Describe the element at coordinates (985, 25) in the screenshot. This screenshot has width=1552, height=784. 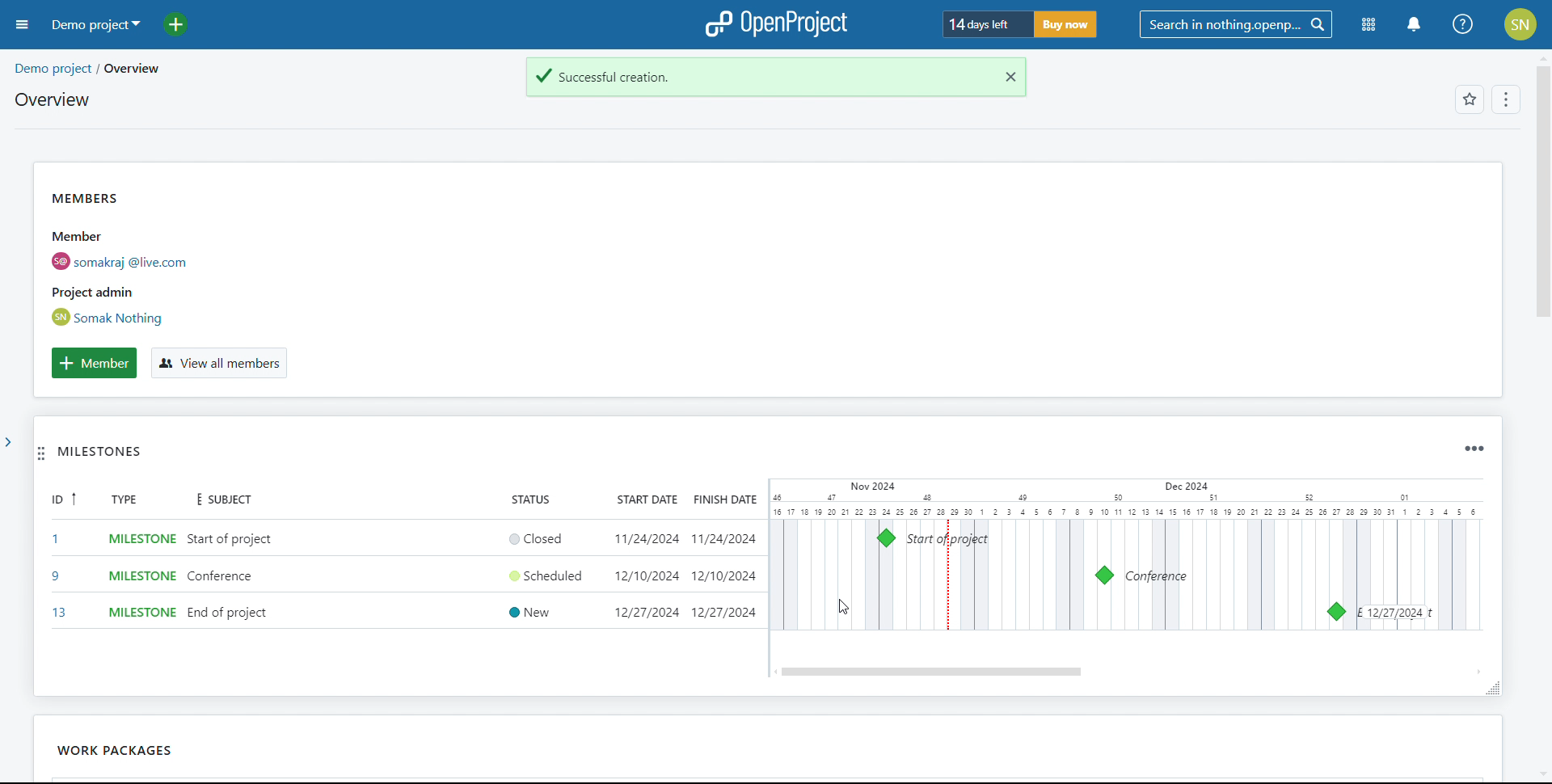
I see `days left for trial` at that location.